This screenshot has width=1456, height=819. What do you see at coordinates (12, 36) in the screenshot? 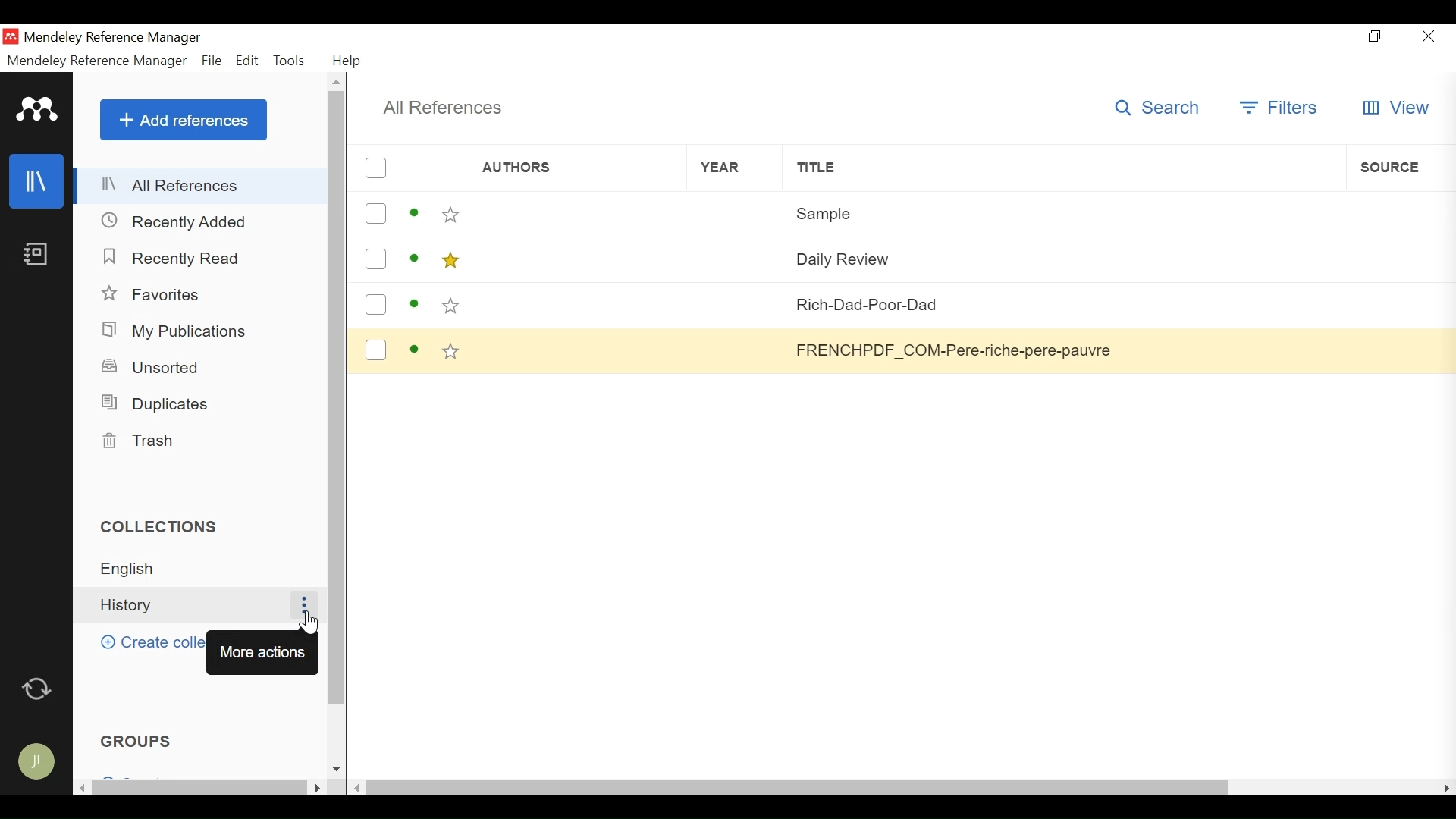
I see `Mendeley Desktop Icon` at bounding box center [12, 36].